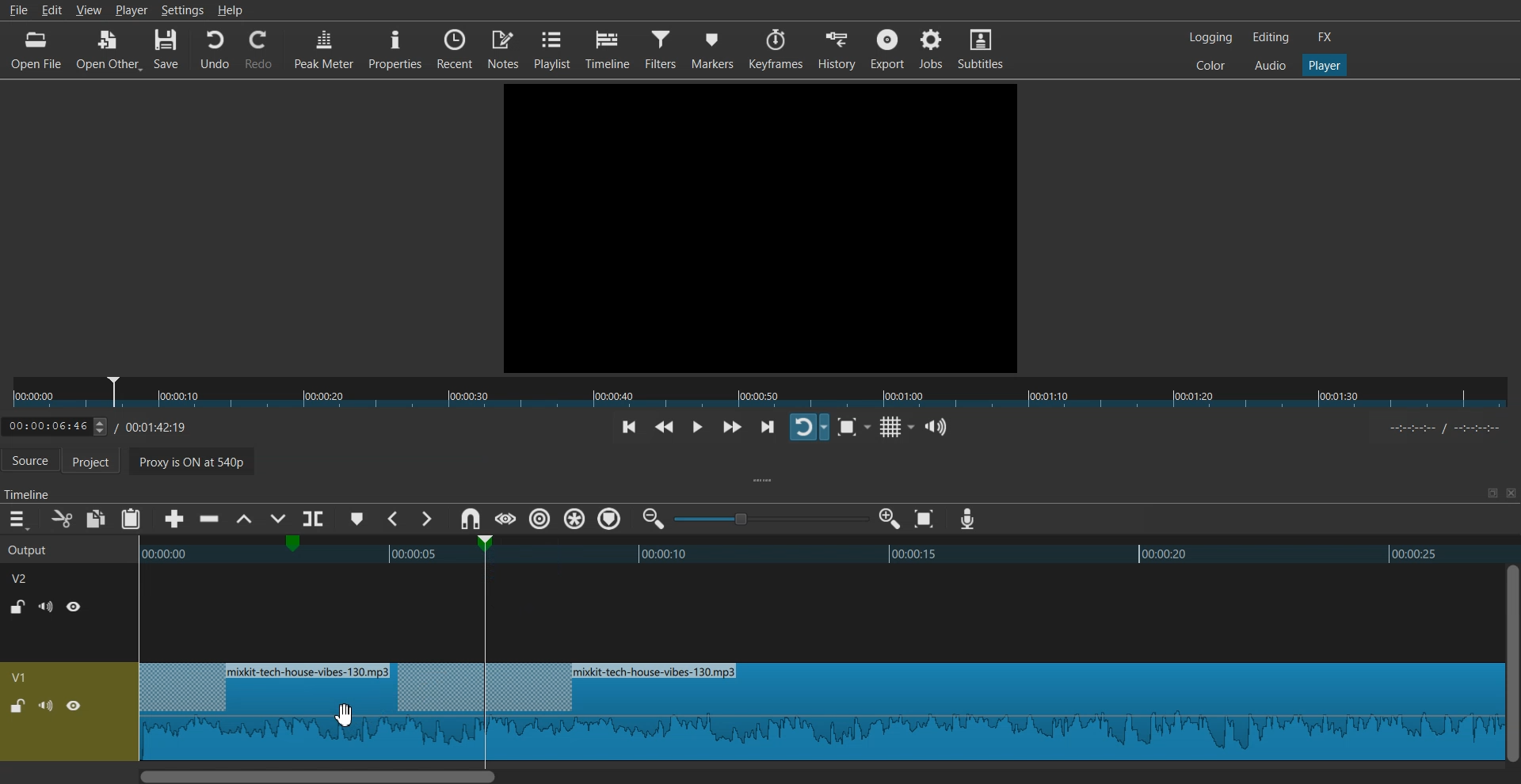 This screenshot has height=784, width=1521. What do you see at coordinates (470, 519) in the screenshot?
I see `Snap` at bounding box center [470, 519].